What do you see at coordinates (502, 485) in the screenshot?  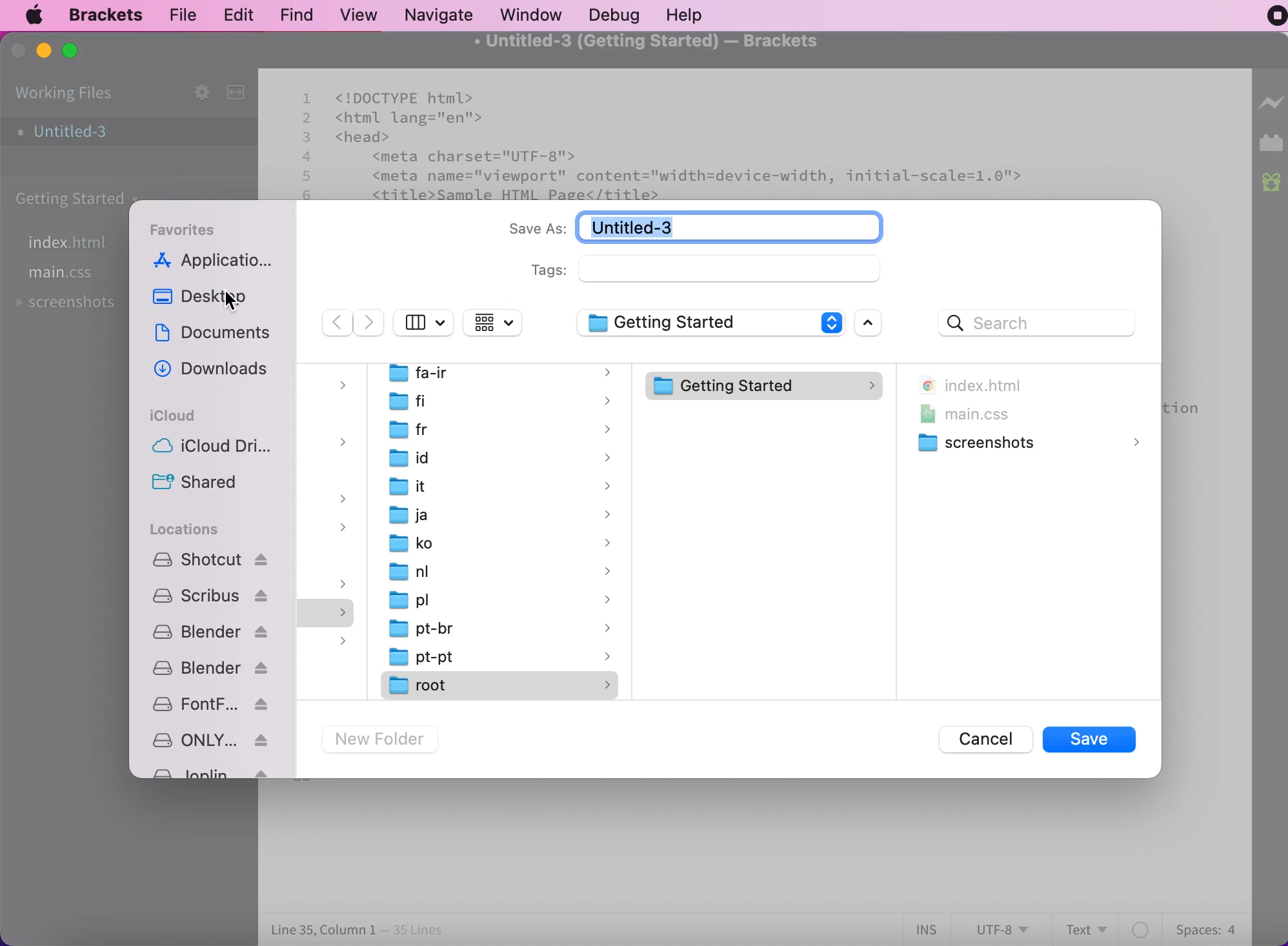 I see `it` at bounding box center [502, 485].